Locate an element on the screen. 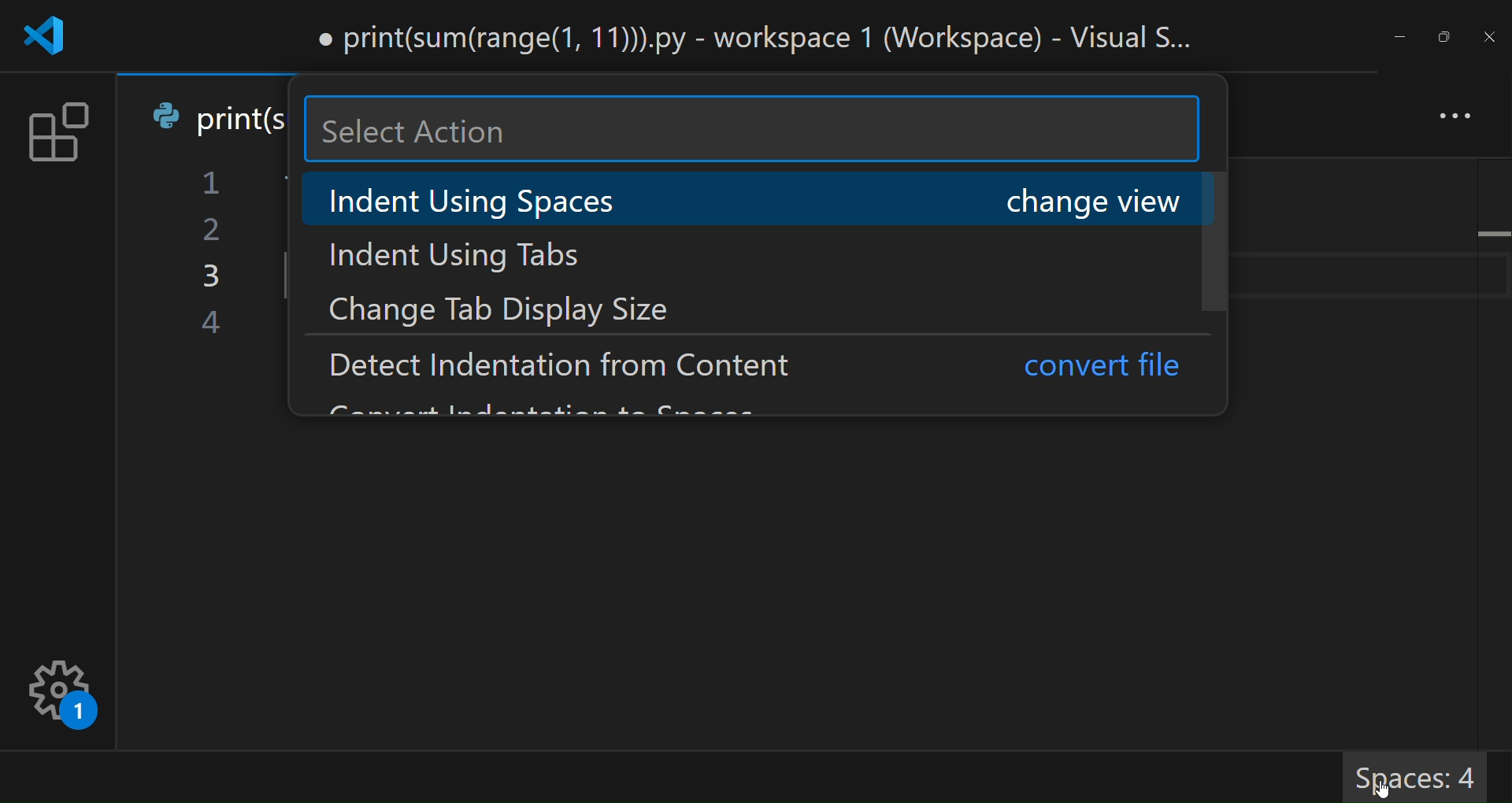 This screenshot has height=803, width=1512. cursor is located at coordinates (1378, 783).